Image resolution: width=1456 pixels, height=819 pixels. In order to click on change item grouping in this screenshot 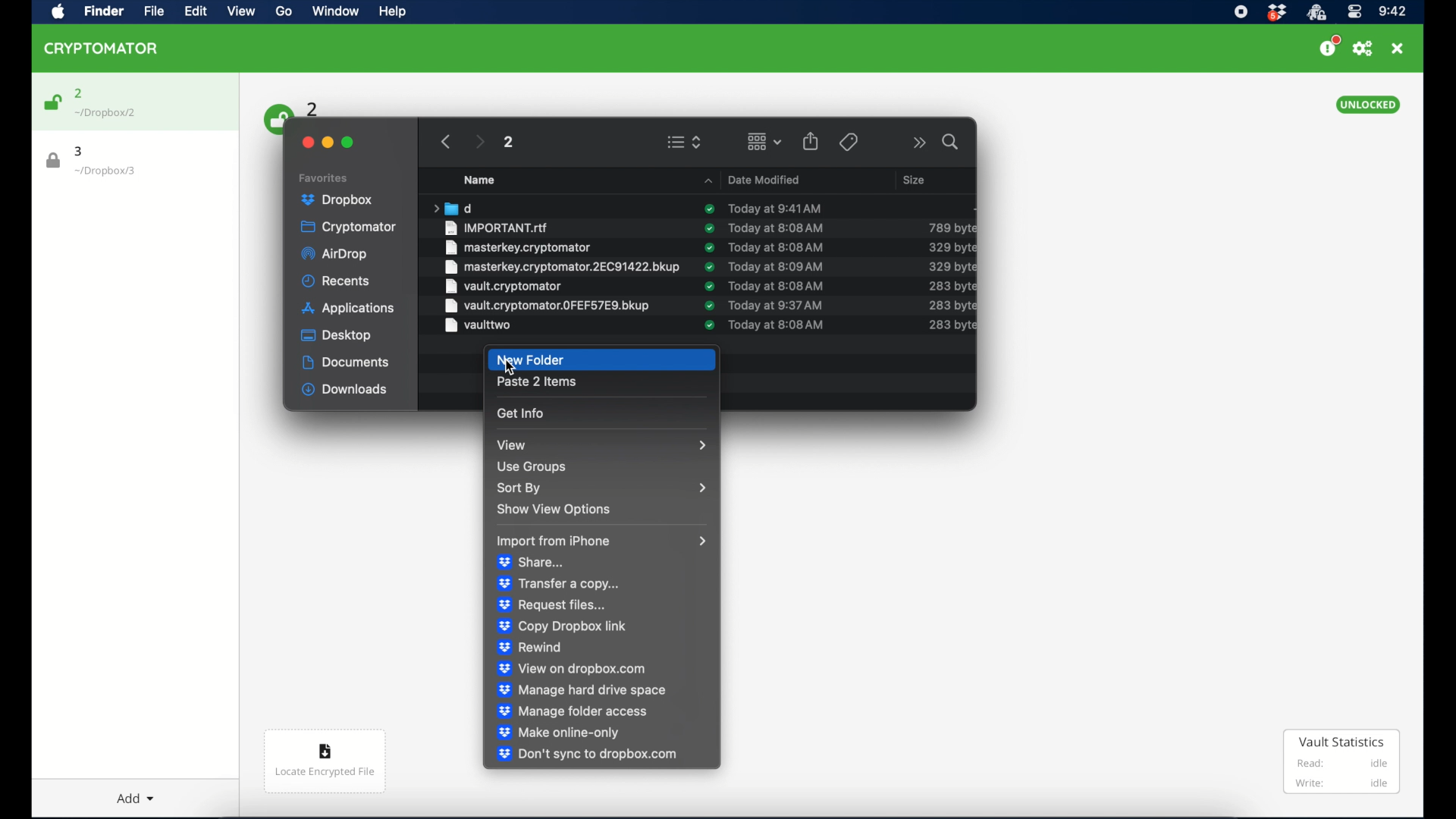, I will do `click(765, 141)`.